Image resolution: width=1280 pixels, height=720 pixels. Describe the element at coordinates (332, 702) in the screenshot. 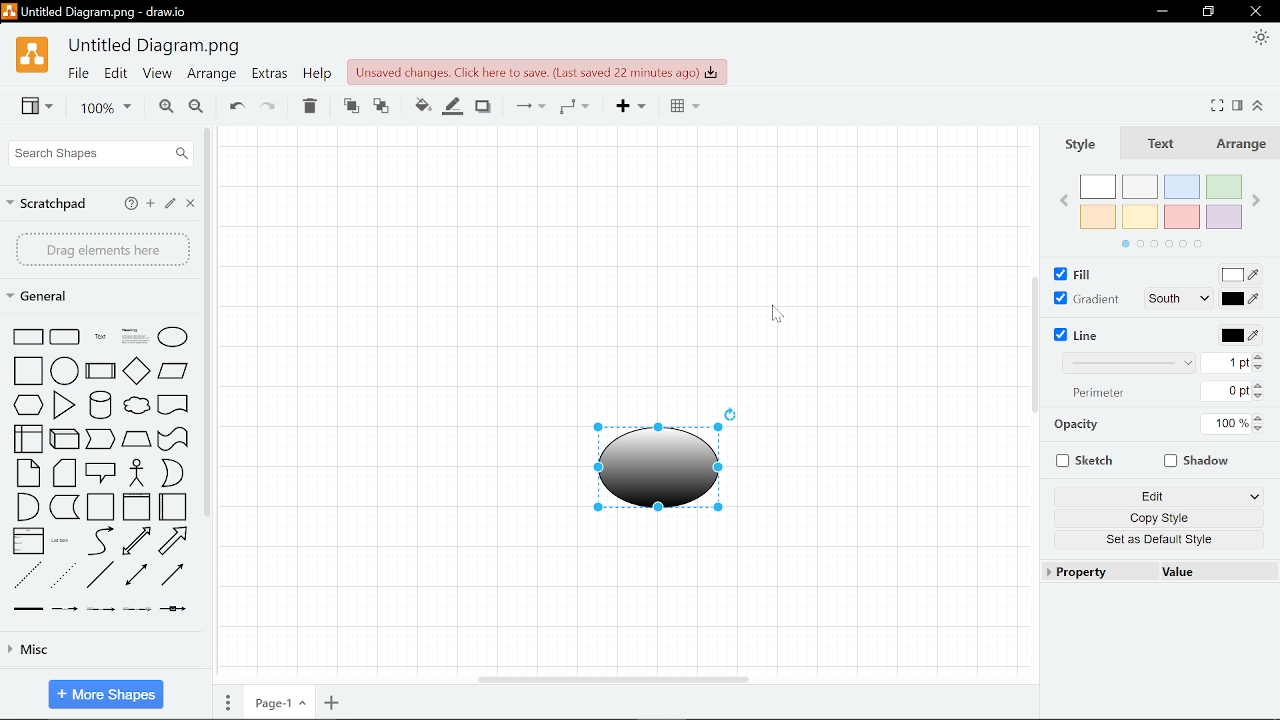

I see `Add page ` at that location.